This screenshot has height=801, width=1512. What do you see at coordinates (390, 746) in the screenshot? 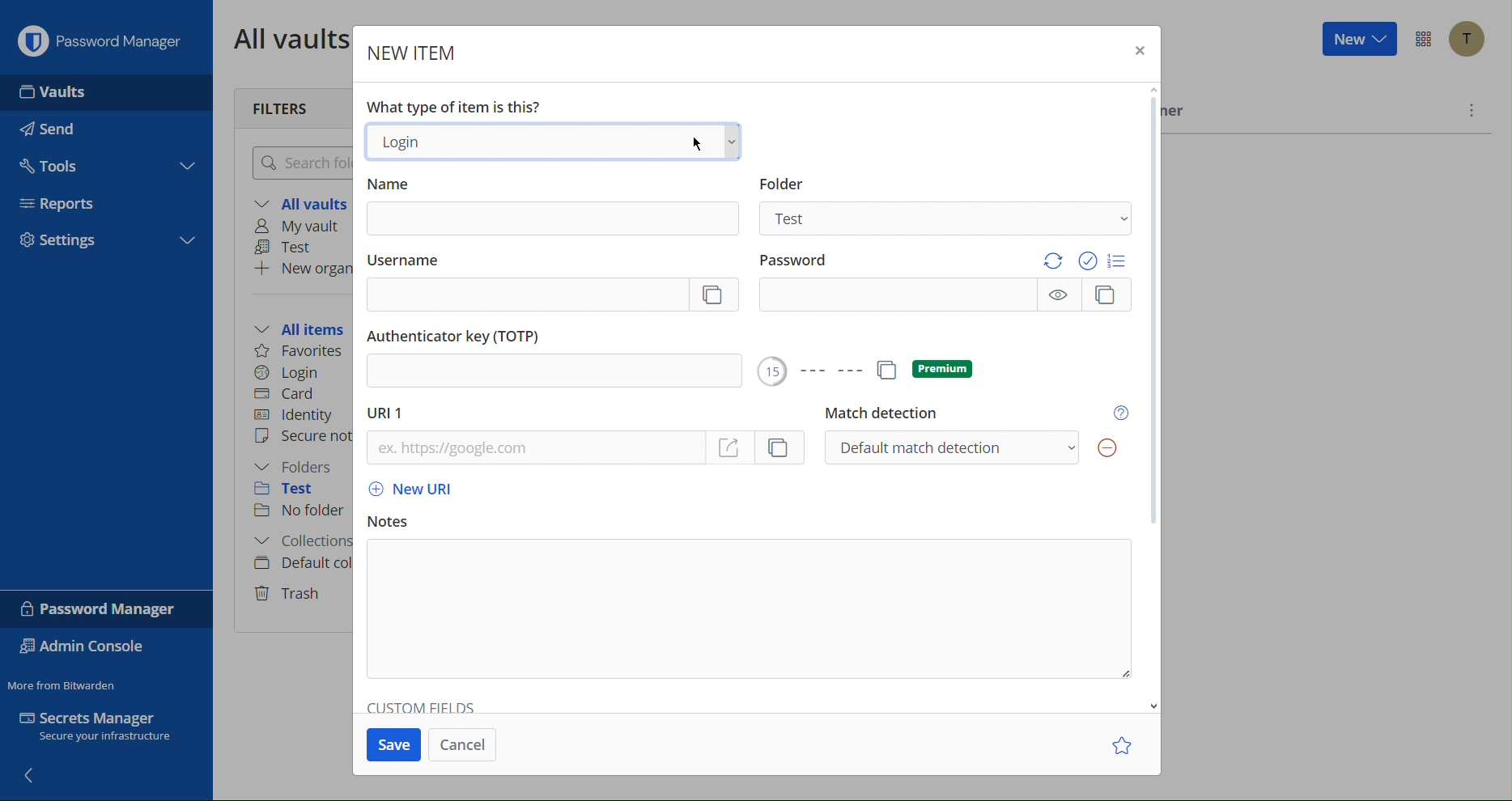
I see `Save` at bounding box center [390, 746].